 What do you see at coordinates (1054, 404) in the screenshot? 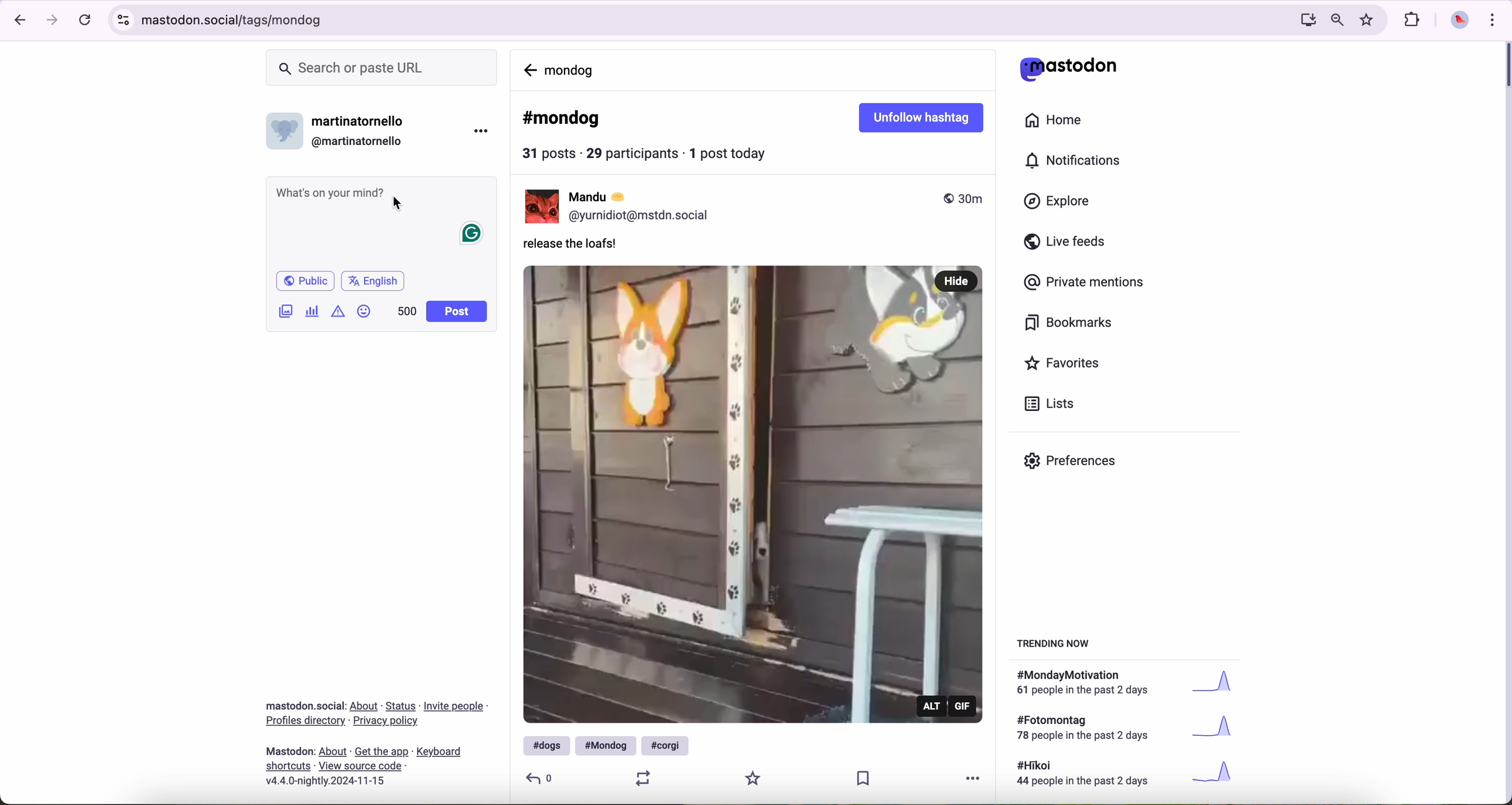
I see `lists` at bounding box center [1054, 404].